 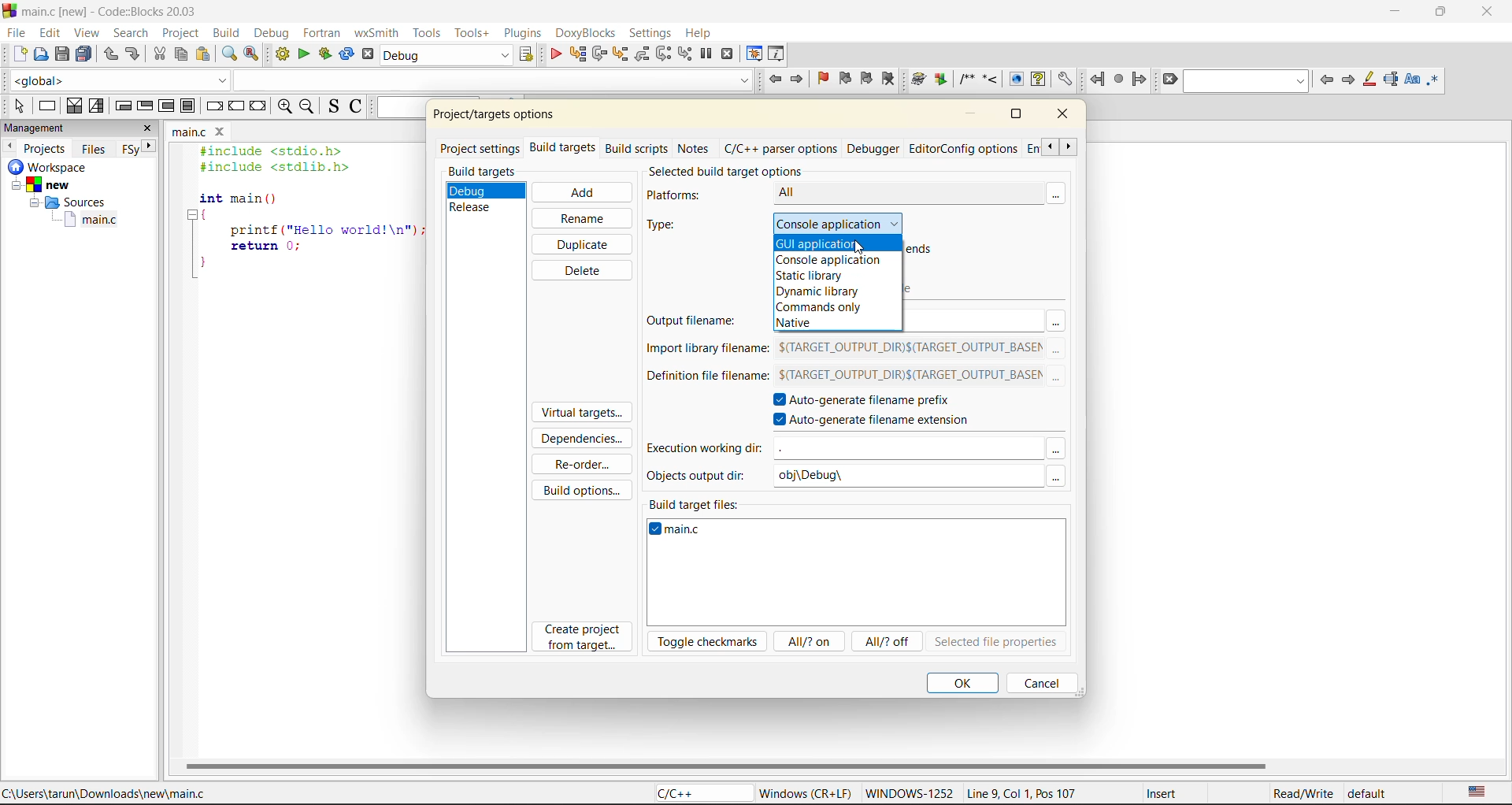 What do you see at coordinates (912, 792) in the screenshot?
I see `WINDOWWS-1252` at bounding box center [912, 792].